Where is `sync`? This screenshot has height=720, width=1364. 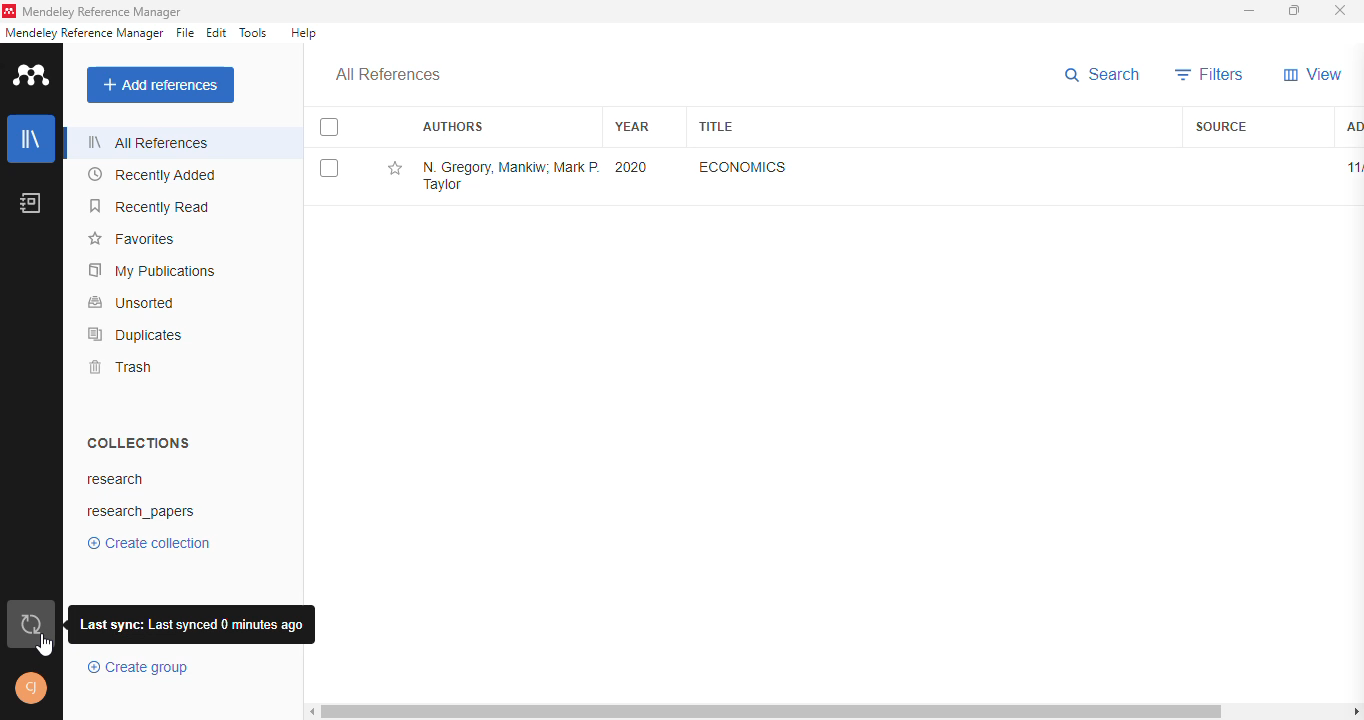 sync is located at coordinates (30, 621).